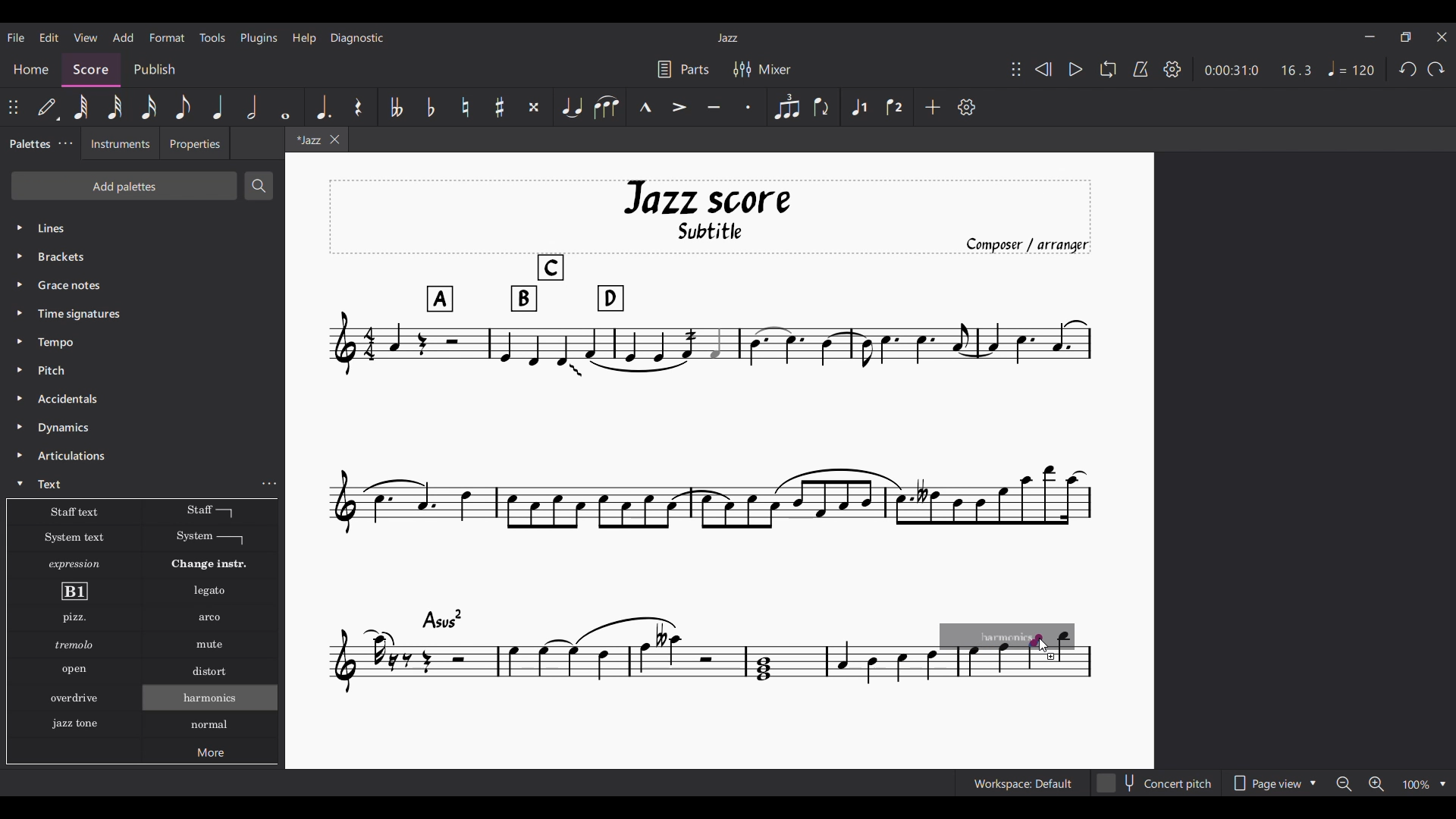  What do you see at coordinates (212, 733) in the screenshot?
I see `Harmonics` at bounding box center [212, 733].